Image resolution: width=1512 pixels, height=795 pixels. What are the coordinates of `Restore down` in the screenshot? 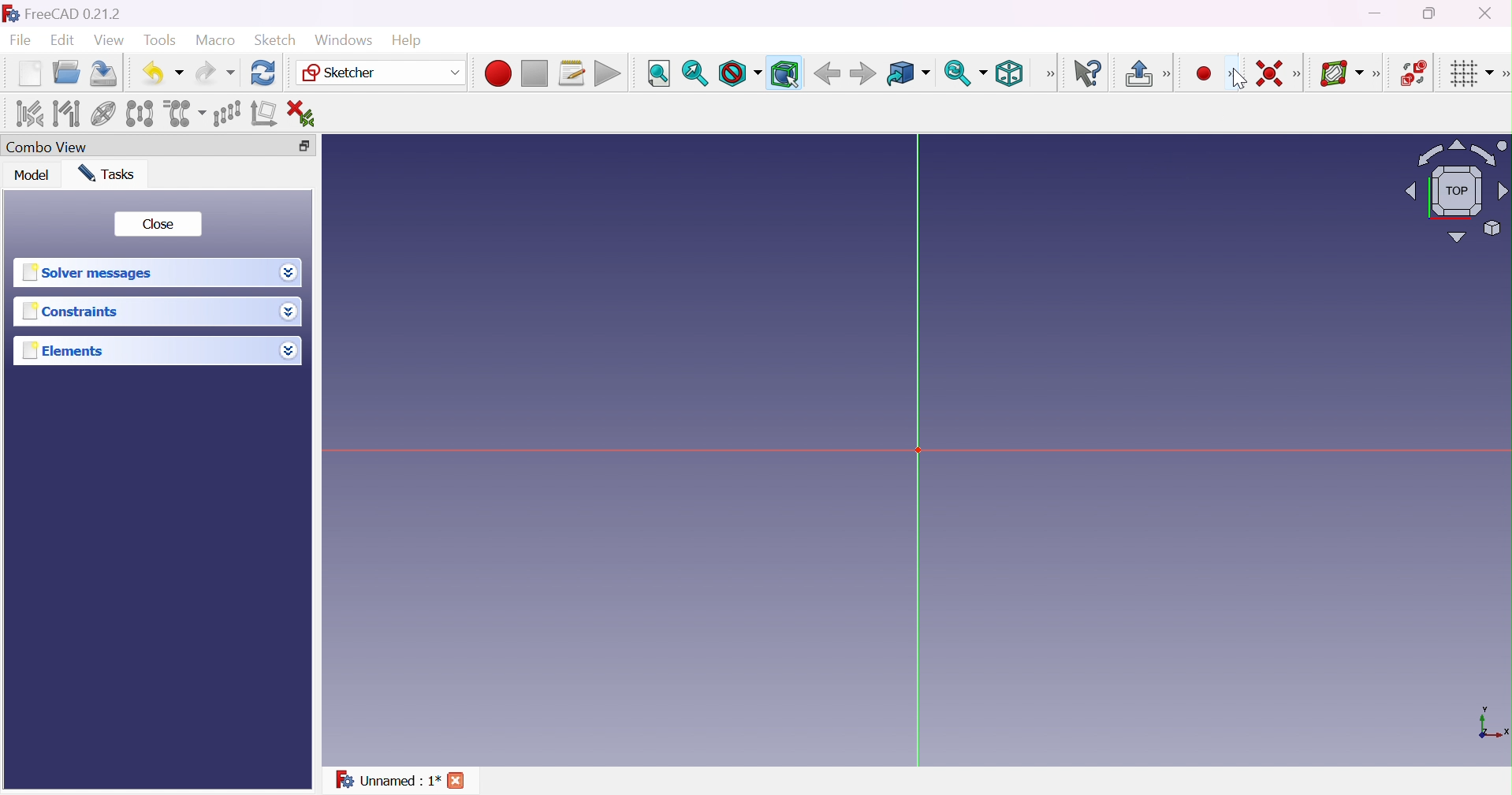 It's located at (1432, 14).